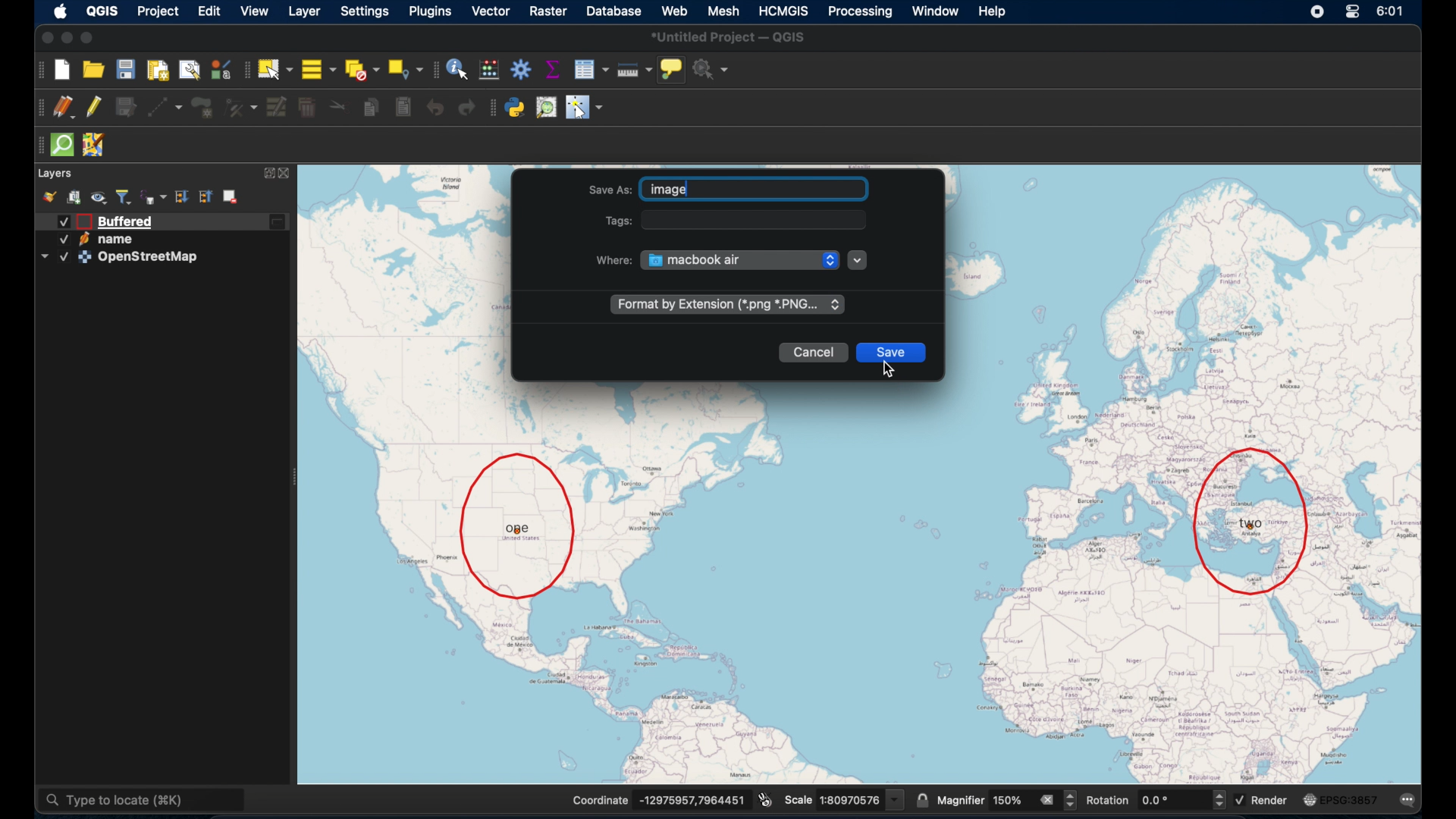 This screenshot has width=1456, height=819. What do you see at coordinates (403, 108) in the screenshot?
I see `paste features` at bounding box center [403, 108].